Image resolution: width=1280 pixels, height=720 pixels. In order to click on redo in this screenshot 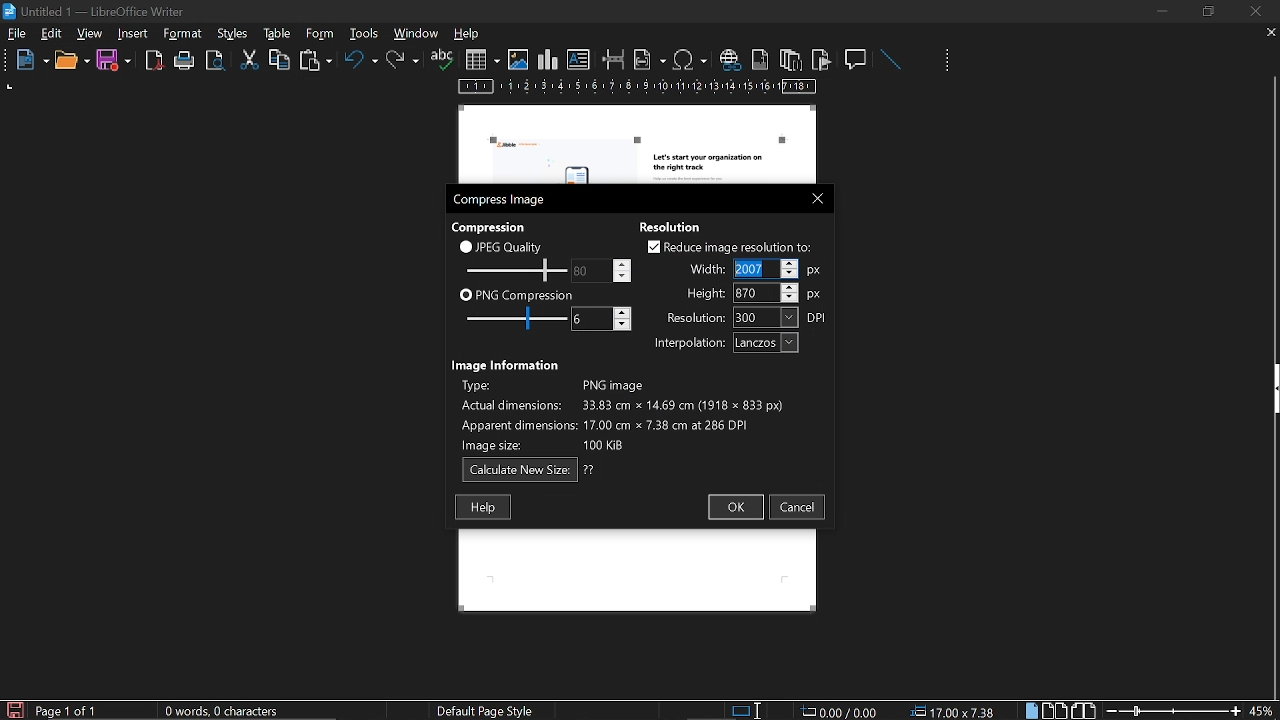, I will do `click(403, 60)`.